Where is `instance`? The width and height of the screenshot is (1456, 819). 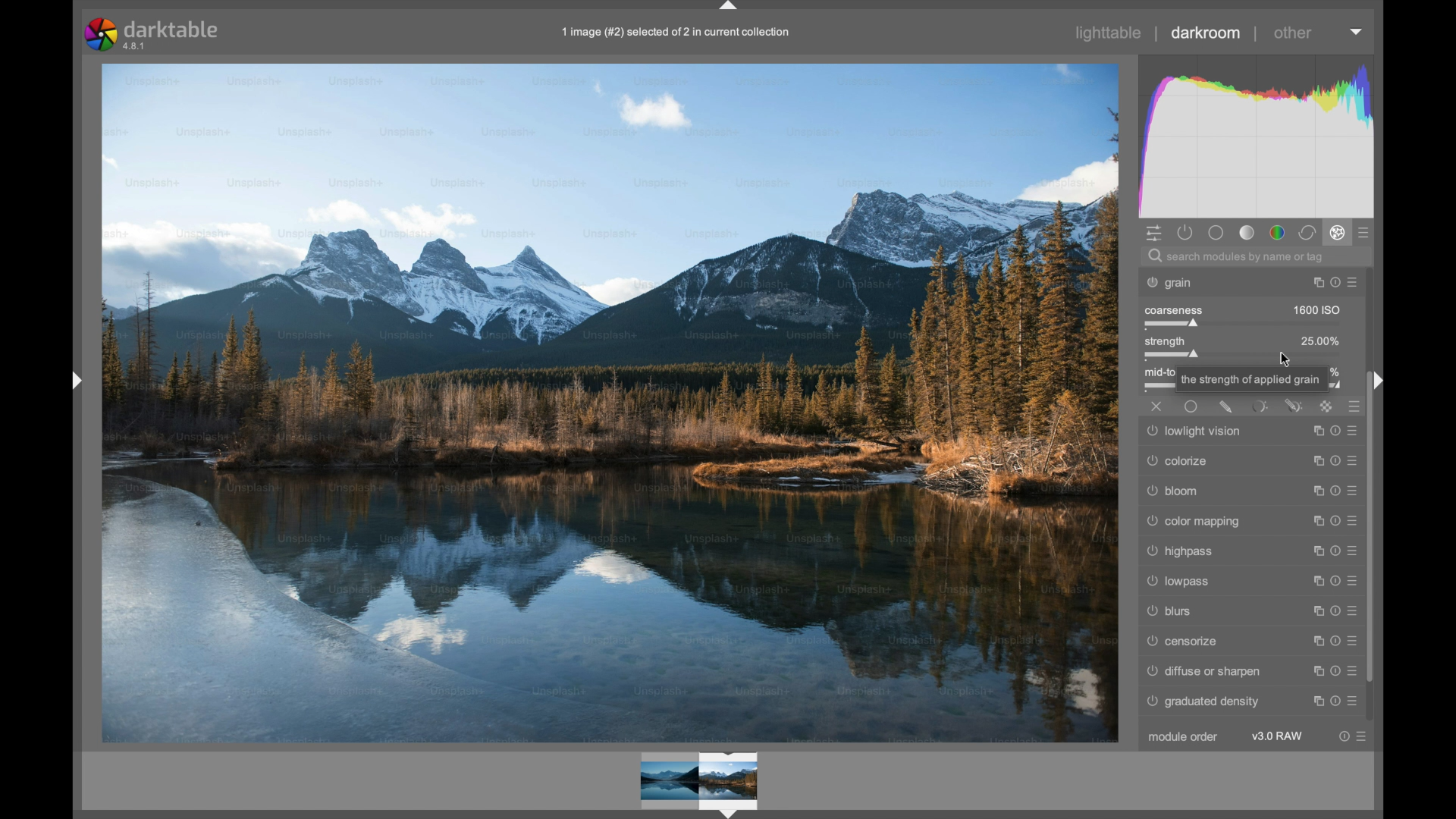
instance is located at coordinates (1314, 673).